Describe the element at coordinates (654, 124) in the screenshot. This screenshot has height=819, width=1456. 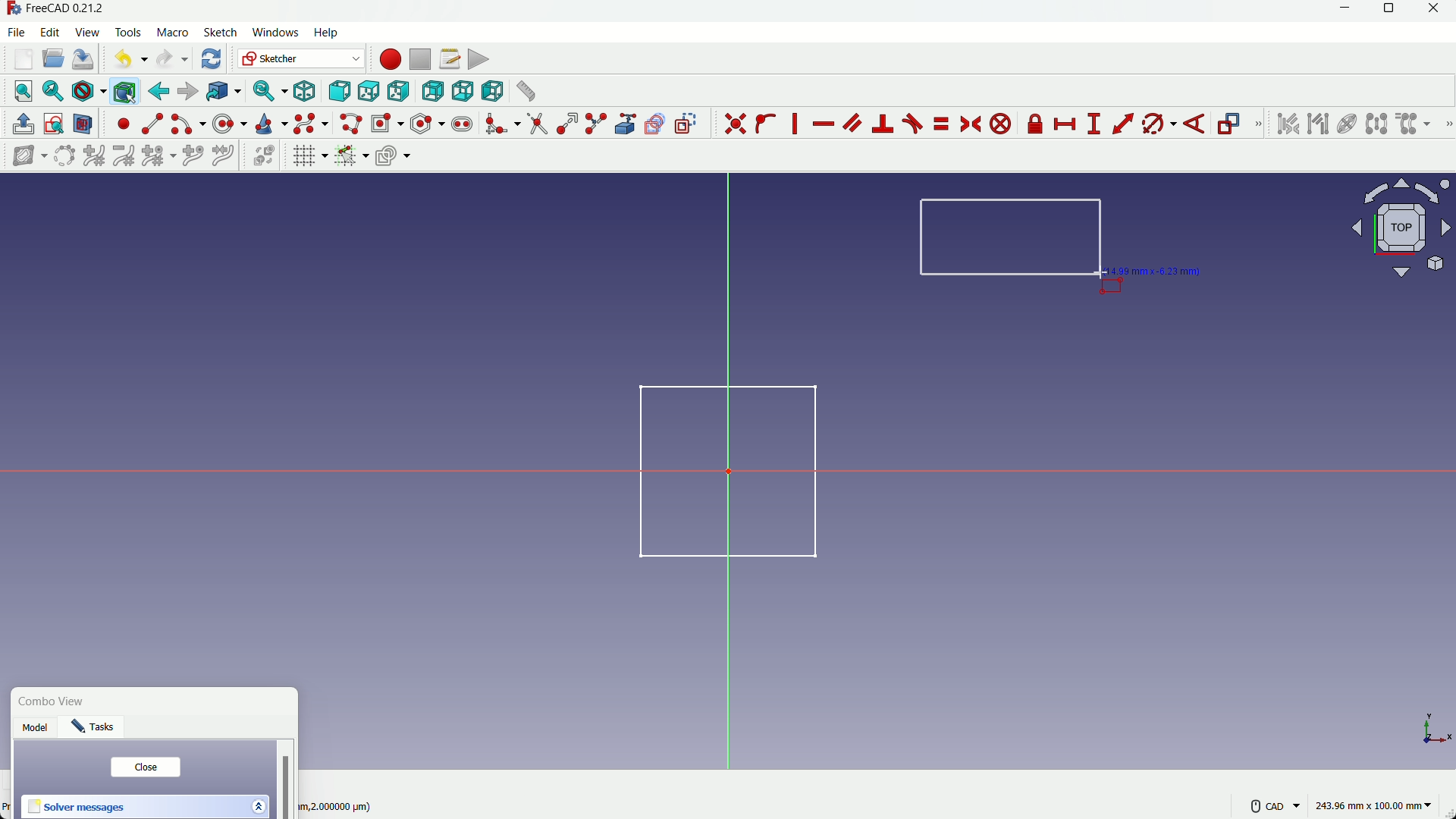
I see `create carbon copy` at that location.